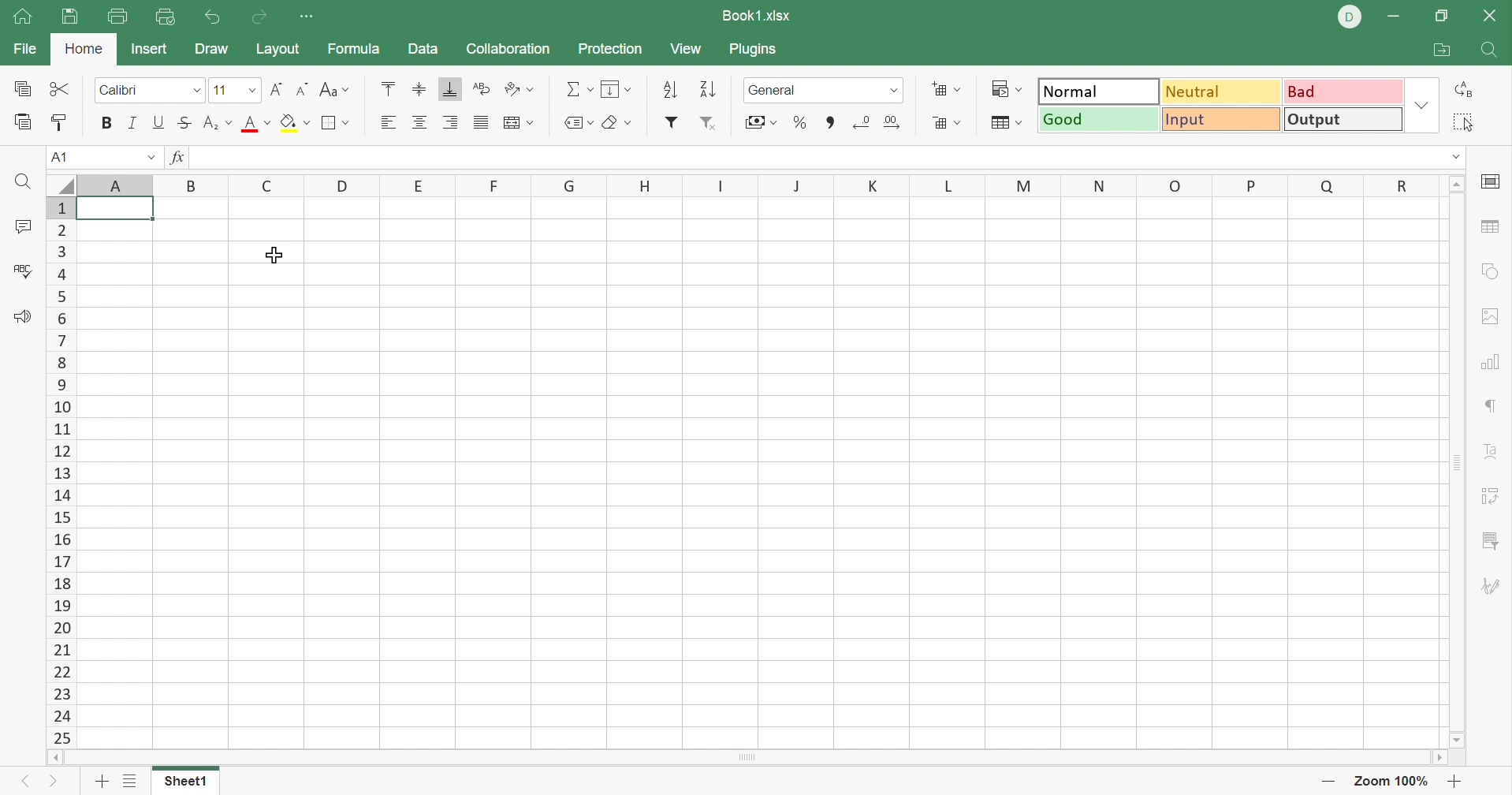  I want to click on Pivot Table settings, so click(1492, 498).